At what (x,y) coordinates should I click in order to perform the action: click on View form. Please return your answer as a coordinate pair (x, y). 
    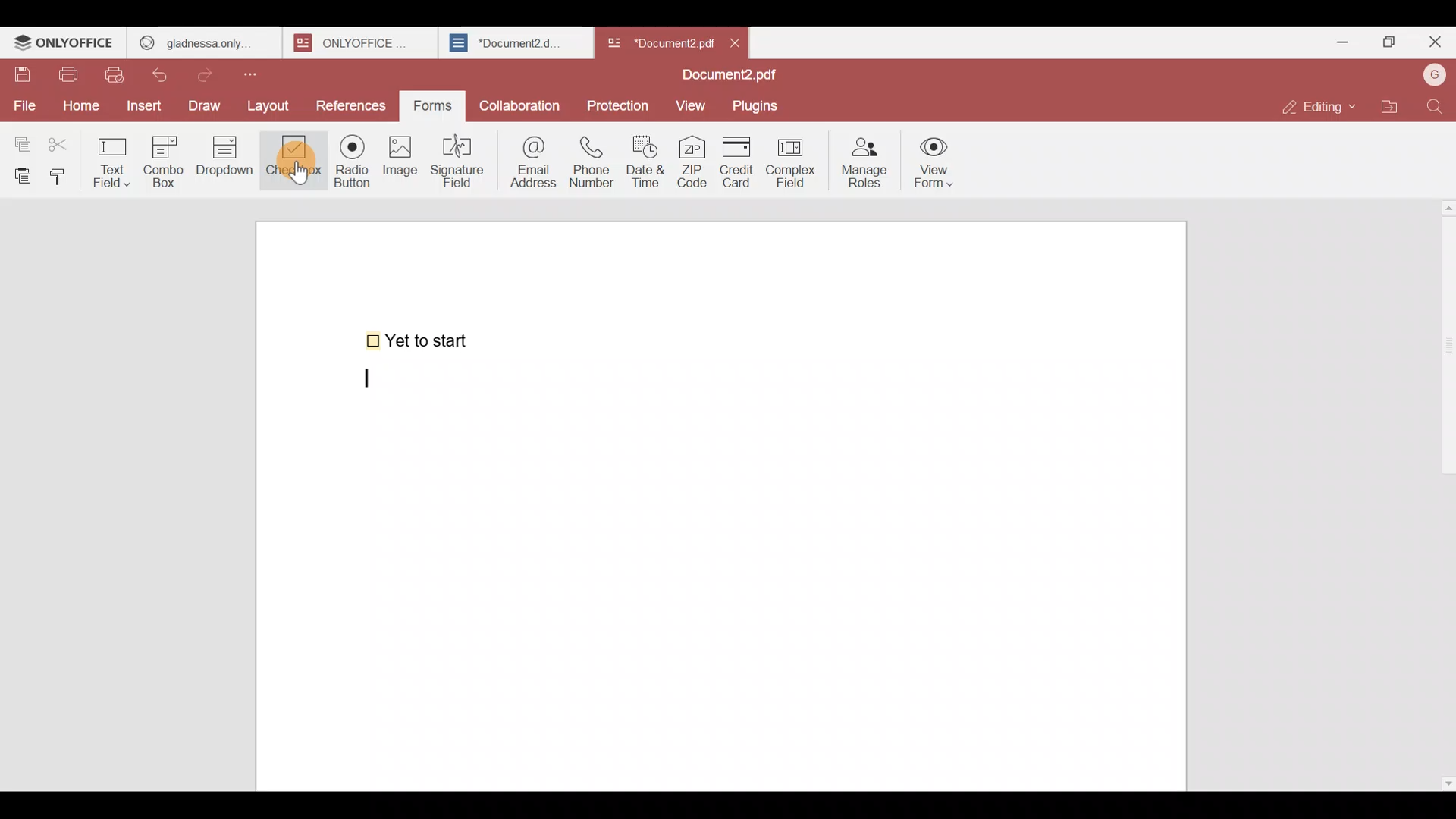
    Looking at the image, I should click on (936, 163).